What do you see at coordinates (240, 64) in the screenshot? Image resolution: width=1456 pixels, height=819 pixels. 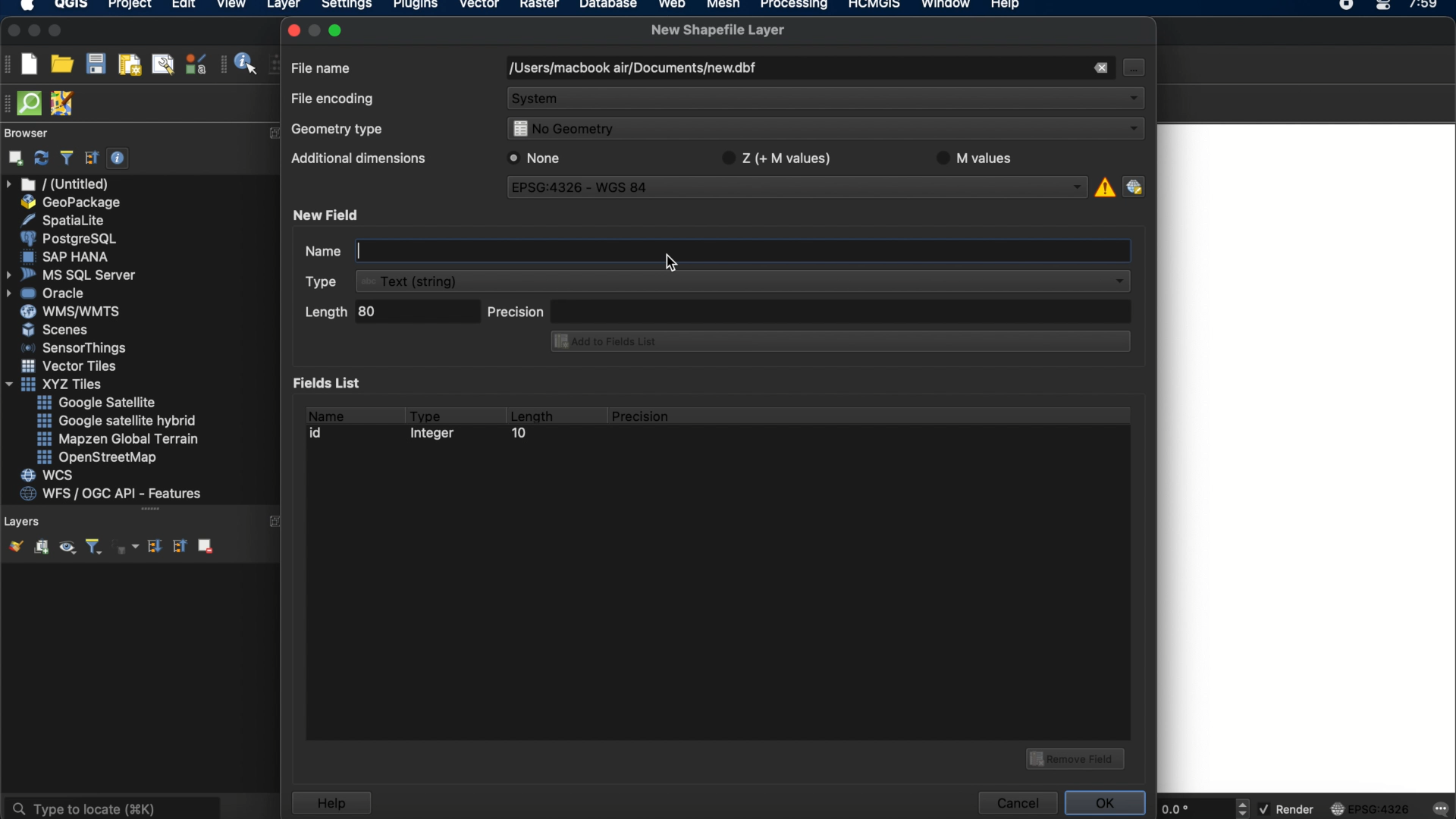 I see `identify features` at bounding box center [240, 64].